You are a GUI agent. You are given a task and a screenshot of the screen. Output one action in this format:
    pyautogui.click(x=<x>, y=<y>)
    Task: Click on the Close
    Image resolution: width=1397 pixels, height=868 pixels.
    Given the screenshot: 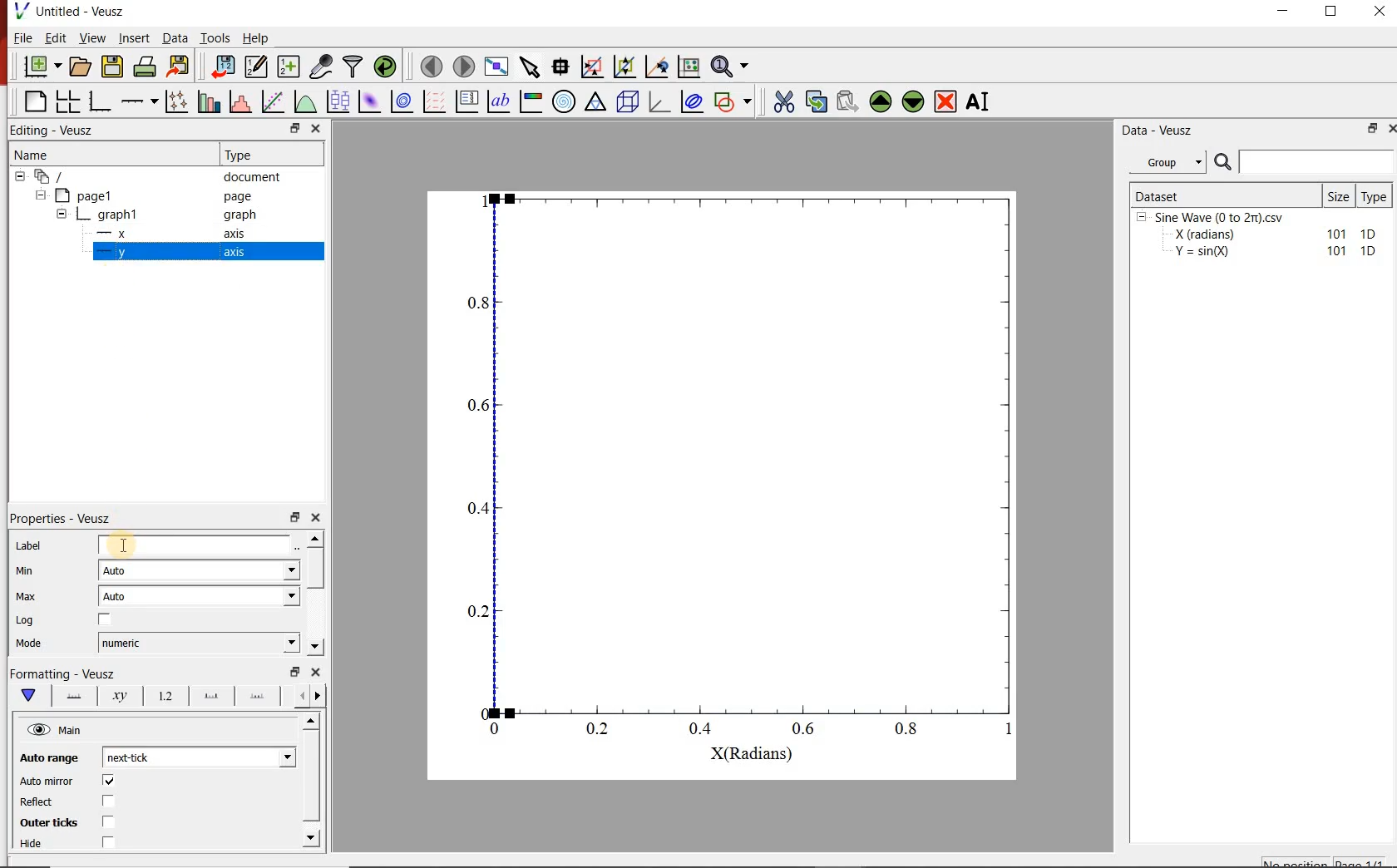 What is the action you would take?
    pyautogui.click(x=316, y=130)
    